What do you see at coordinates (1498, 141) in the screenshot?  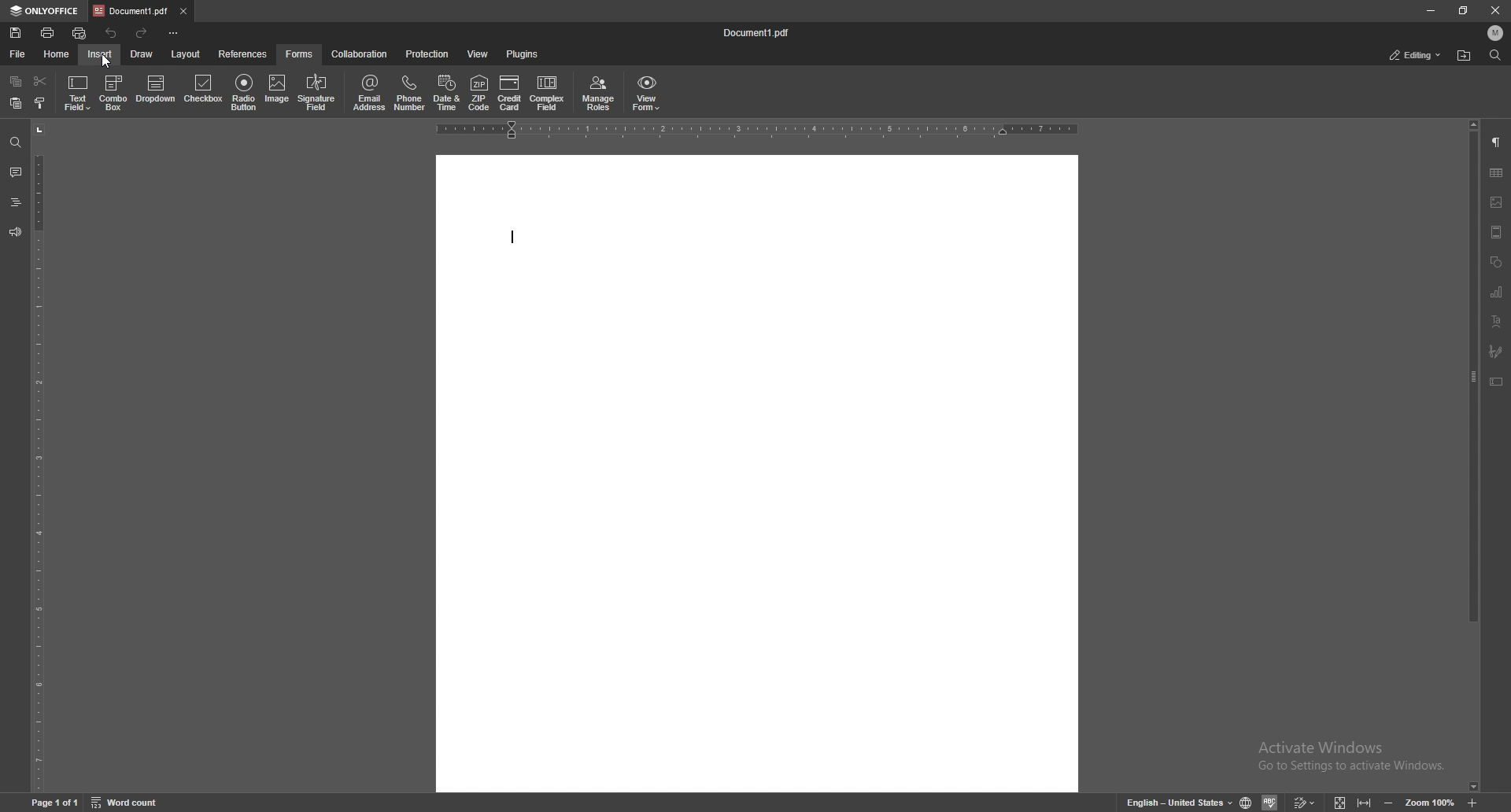 I see `paragraph` at bounding box center [1498, 141].